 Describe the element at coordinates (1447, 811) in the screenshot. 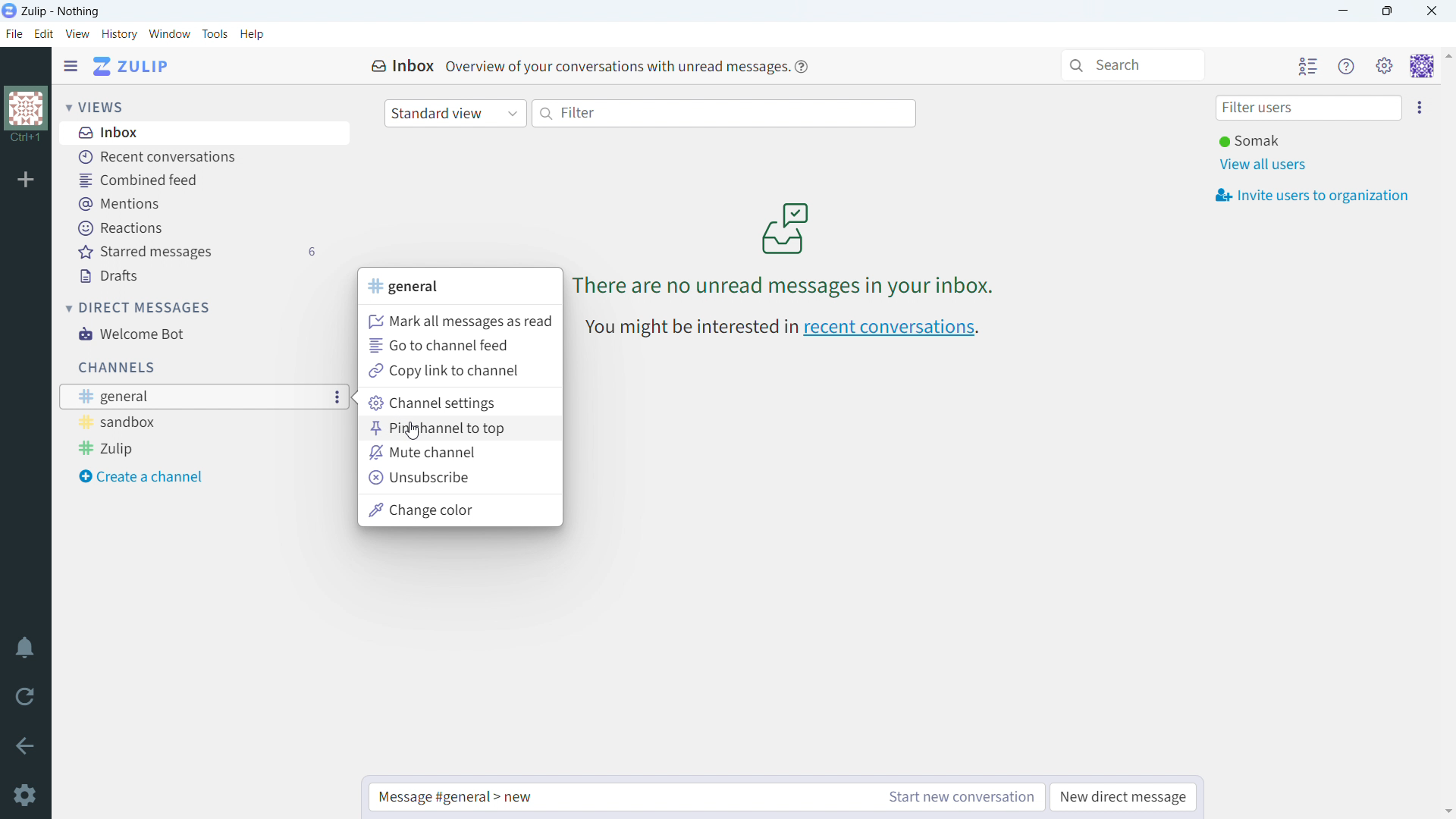

I see `scroll down` at that location.